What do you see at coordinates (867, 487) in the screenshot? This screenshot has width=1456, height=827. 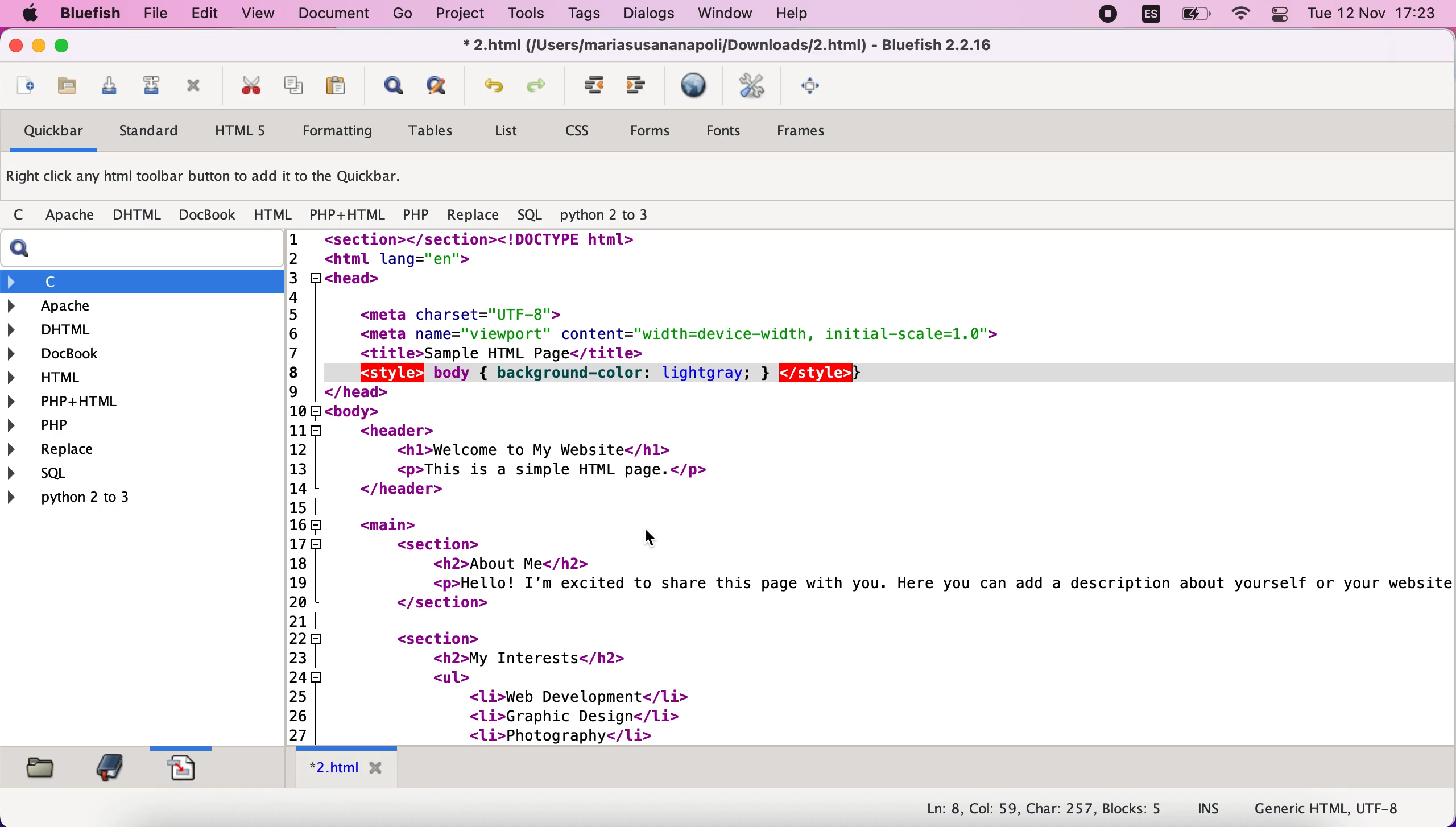 I see `1 <section></section><!DOCTYPE html>

2 <html lang="en">

3 H<head>

4

5 <meta charset="UTF-8">

6 <meta name="viewport" content="width=device-width, initial-scale=1.0">
7 <title>Sample HTML Page</title>

8 body { background-color: lightgray; }
9 | </head>

10 J <body>

11 <header>

12 <hl>Welcome to My Website</hl>

13 <p>This is a simple HTML page.</p>

14 </header>

15 |

16 <main>

17 <section> LS

18 <h2>About Me</h2>

19 <p>Hello! I'm excited to share this page with you. Here you can add a description about yourself or your website
20 </section>

21 |

22 <section>

2] <h2>My Interests</h2>

24 <ul>

25 <li>Web Development</li>

26 <li>Graphic Design</1li>

27 <li>Photography</1li>` at bounding box center [867, 487].